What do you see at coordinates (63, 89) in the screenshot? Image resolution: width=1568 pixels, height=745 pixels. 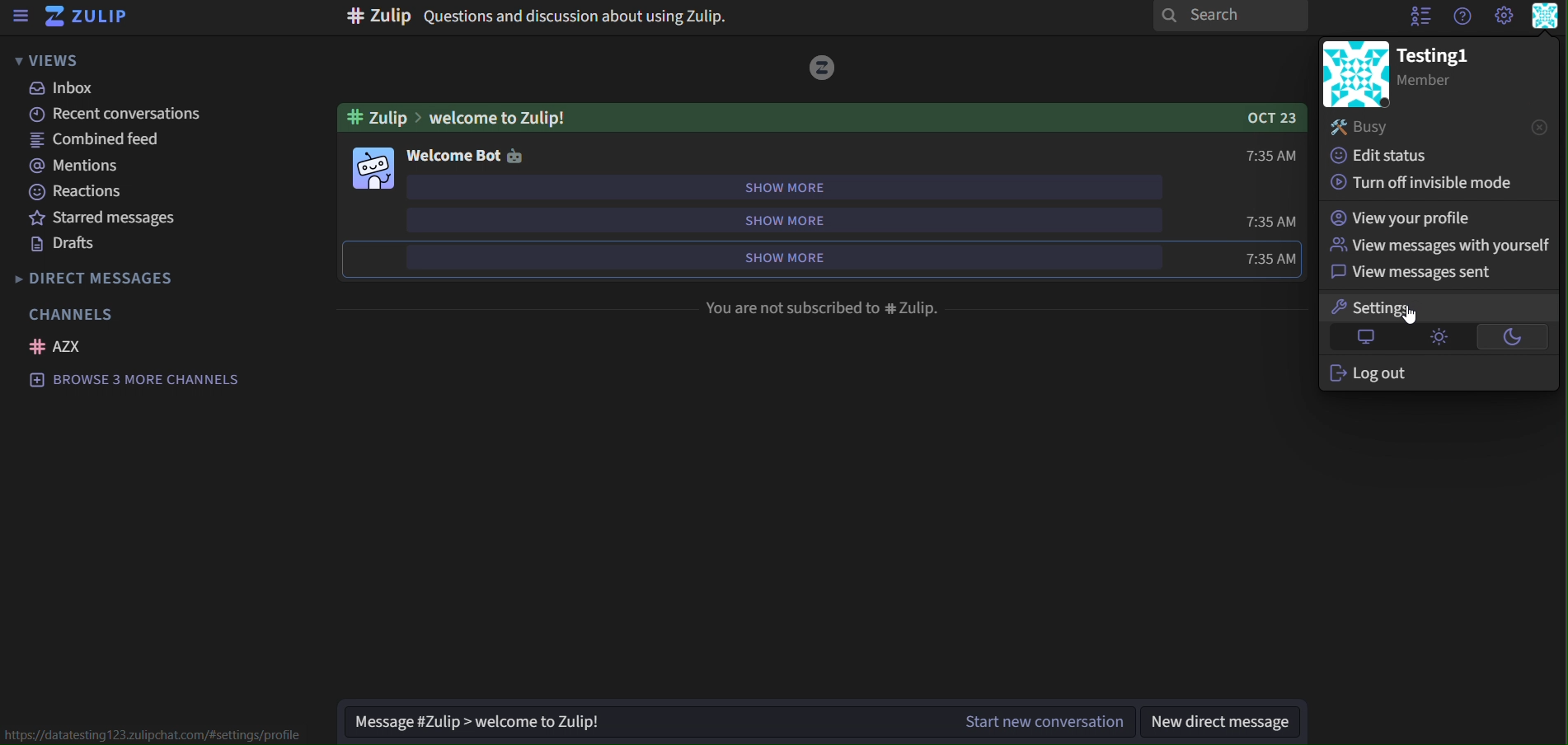 I see `inbox` at bounding box center [63, 89].